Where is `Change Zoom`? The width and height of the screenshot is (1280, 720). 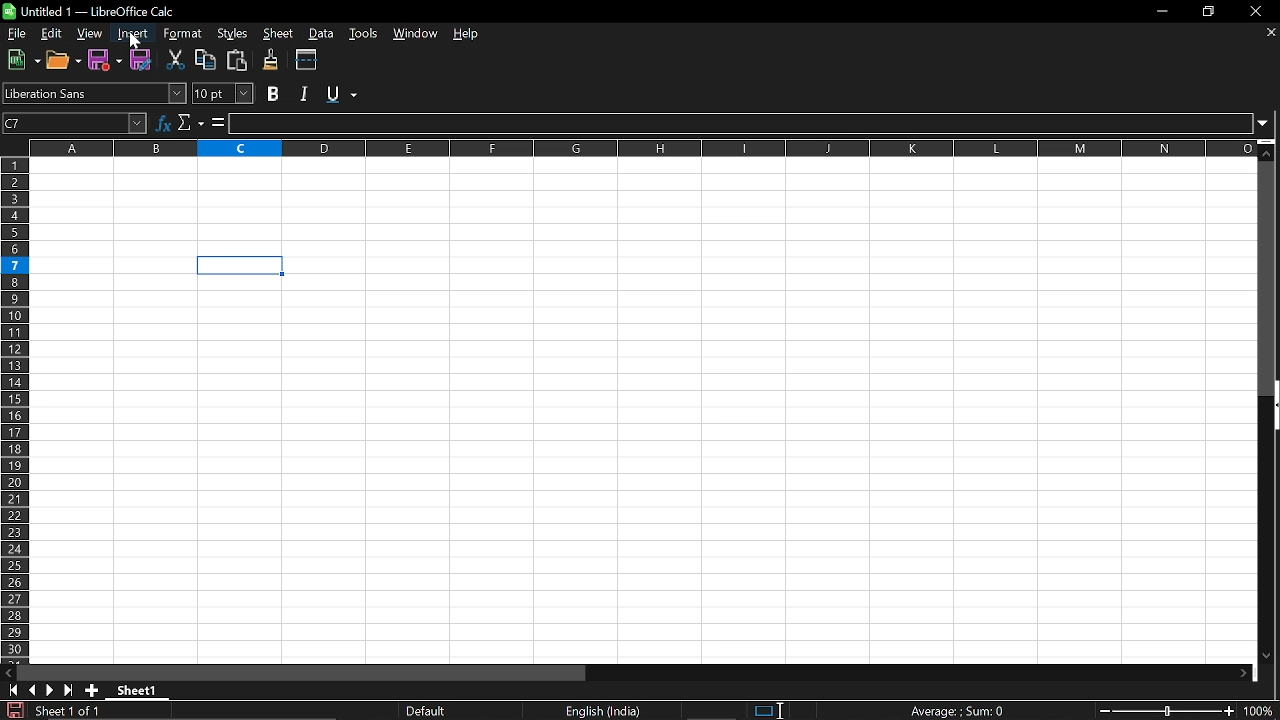 Change Zoom is located at coordinates (1168, 711).